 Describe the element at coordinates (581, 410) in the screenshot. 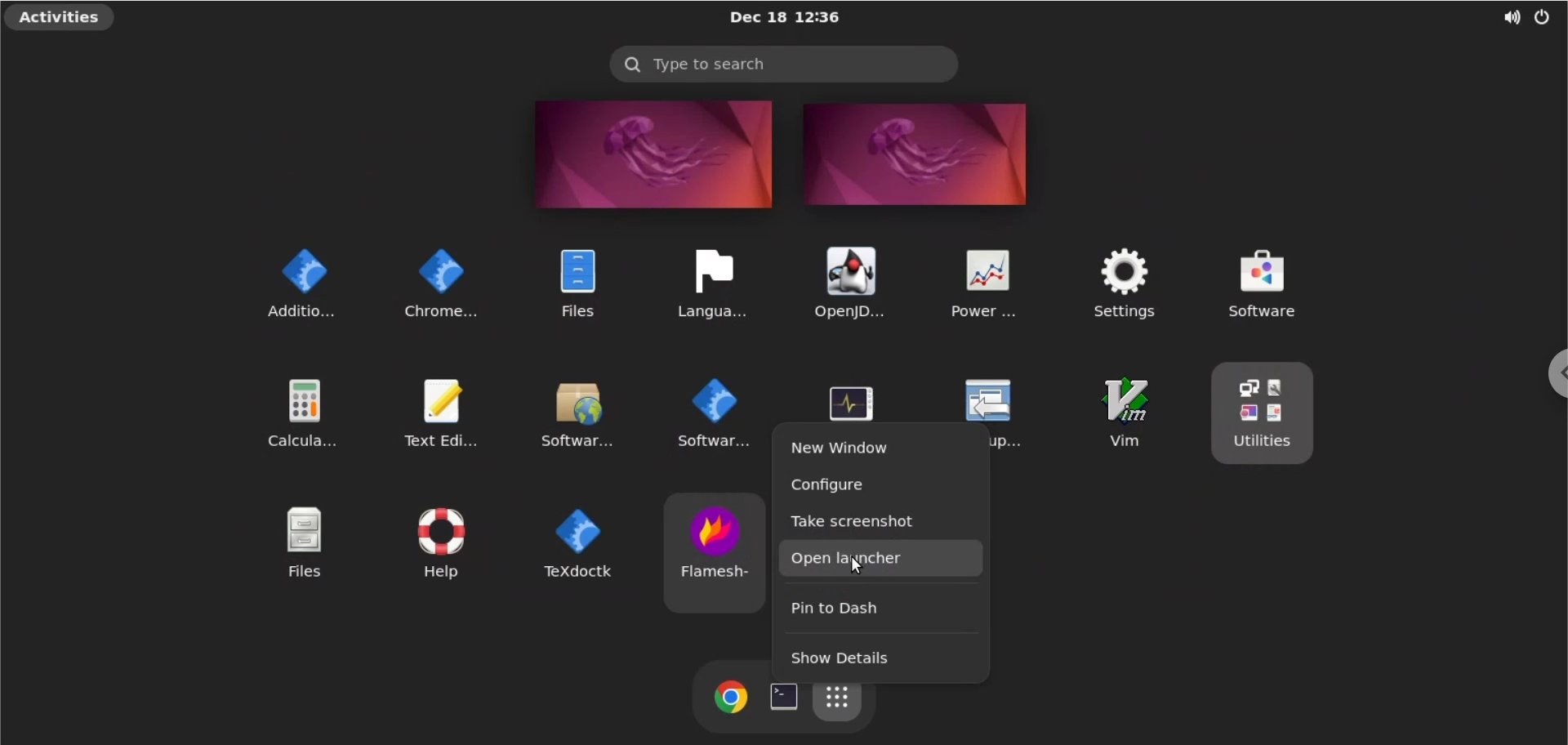

I see `software update` at that location.